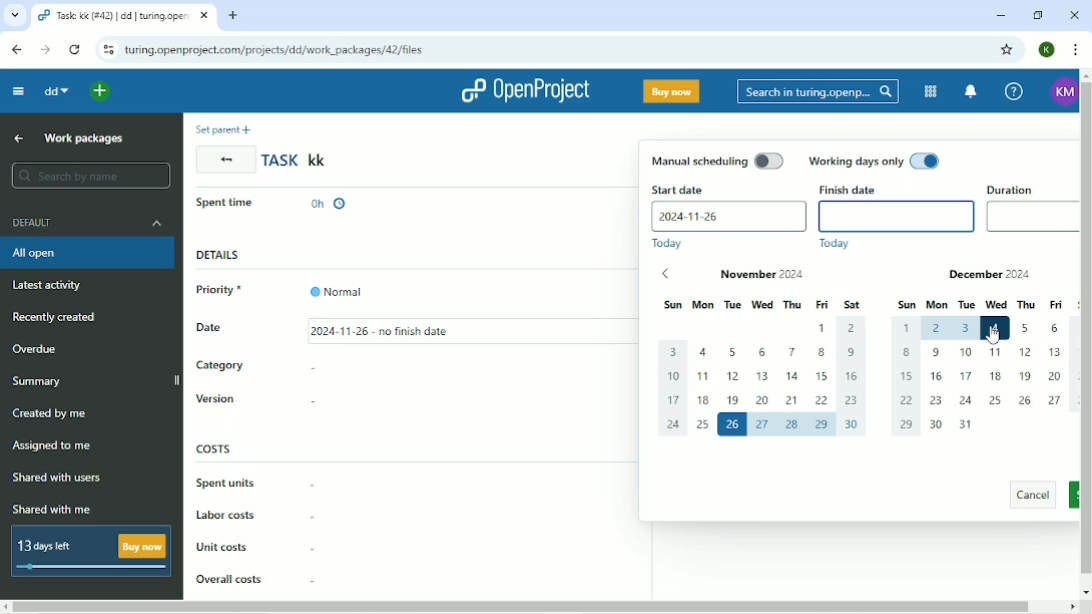 The width and height of the screenshot is (1092, 614). I want to click on Buy now, so click(671, 91).